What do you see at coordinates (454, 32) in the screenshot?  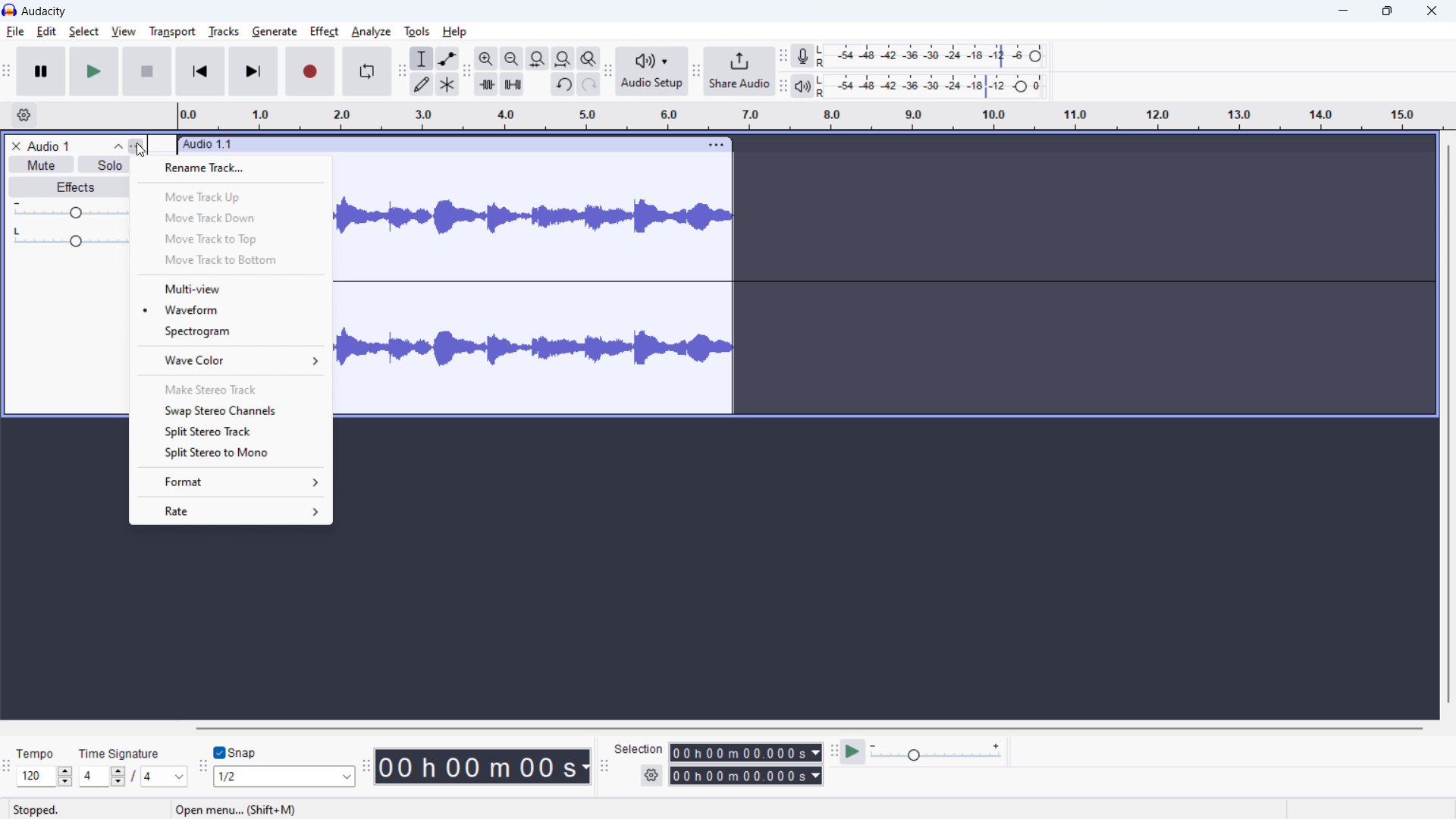 I see `help` at bounding box center [454, 32].